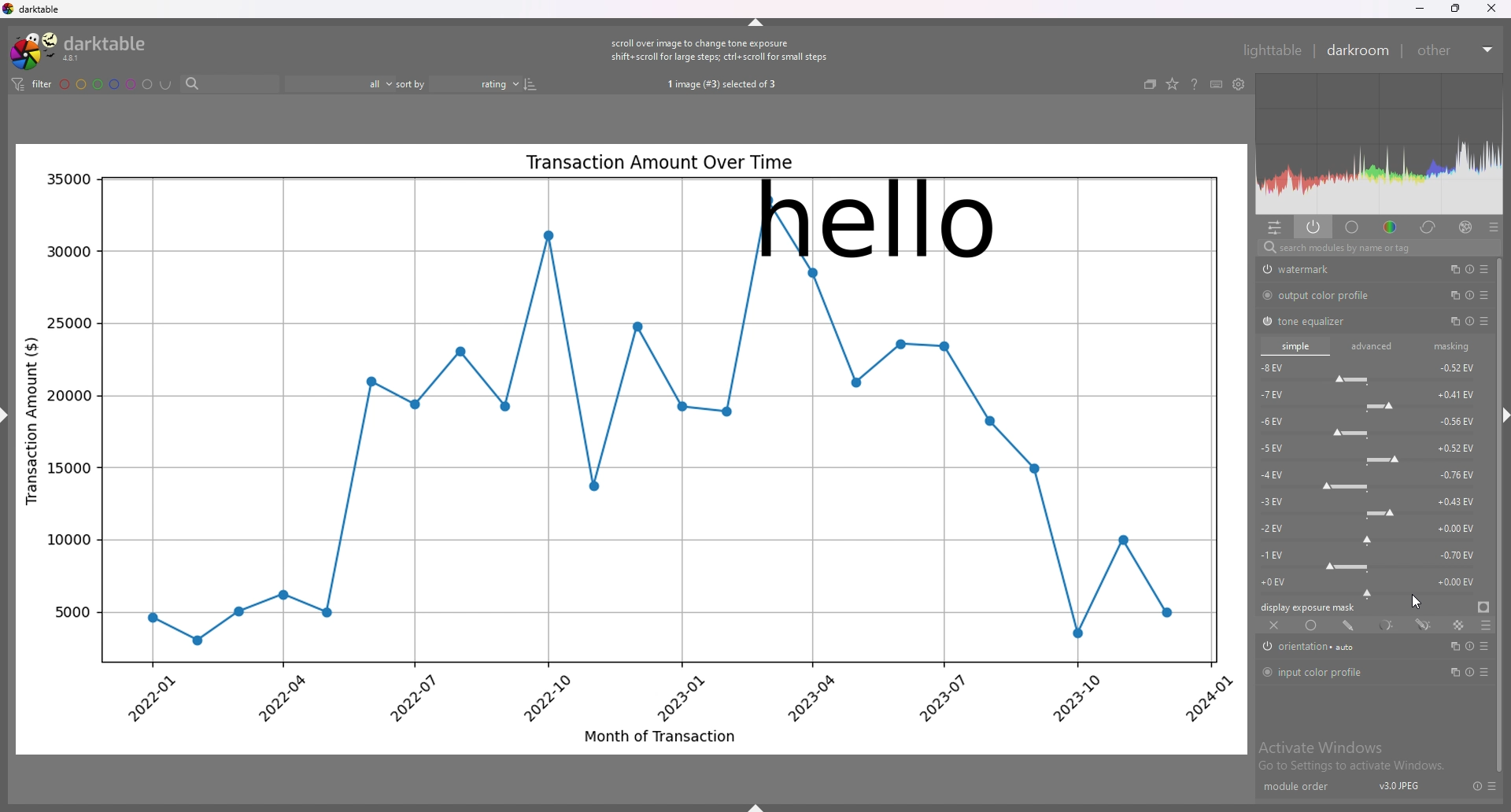 This screenshot has height=812, width=1511. What do you see at coordinates (1493, 227) in the screenshot?
I see `presets` at bounding box center [1493, 227].